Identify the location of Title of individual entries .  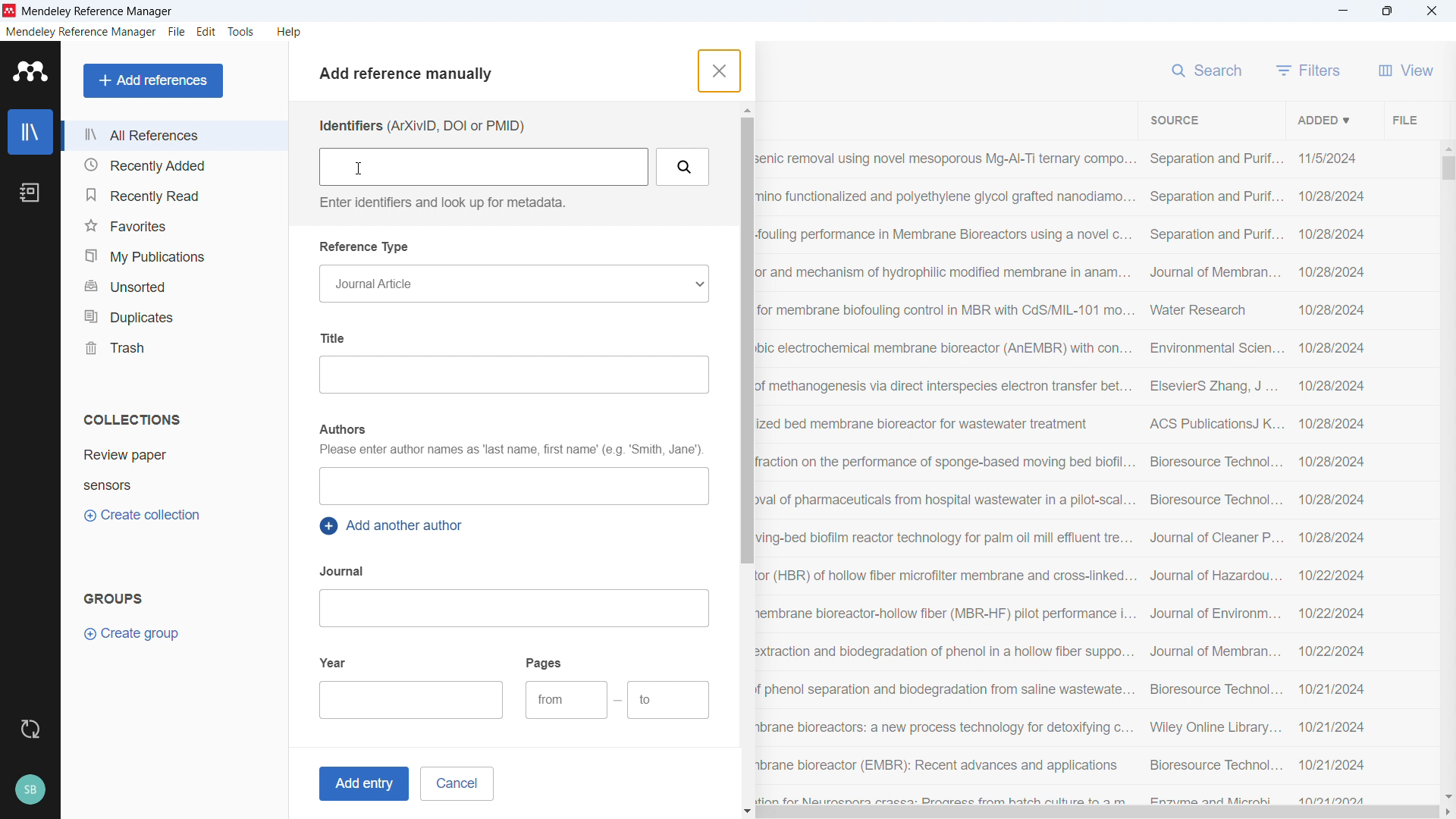
(946, 475).